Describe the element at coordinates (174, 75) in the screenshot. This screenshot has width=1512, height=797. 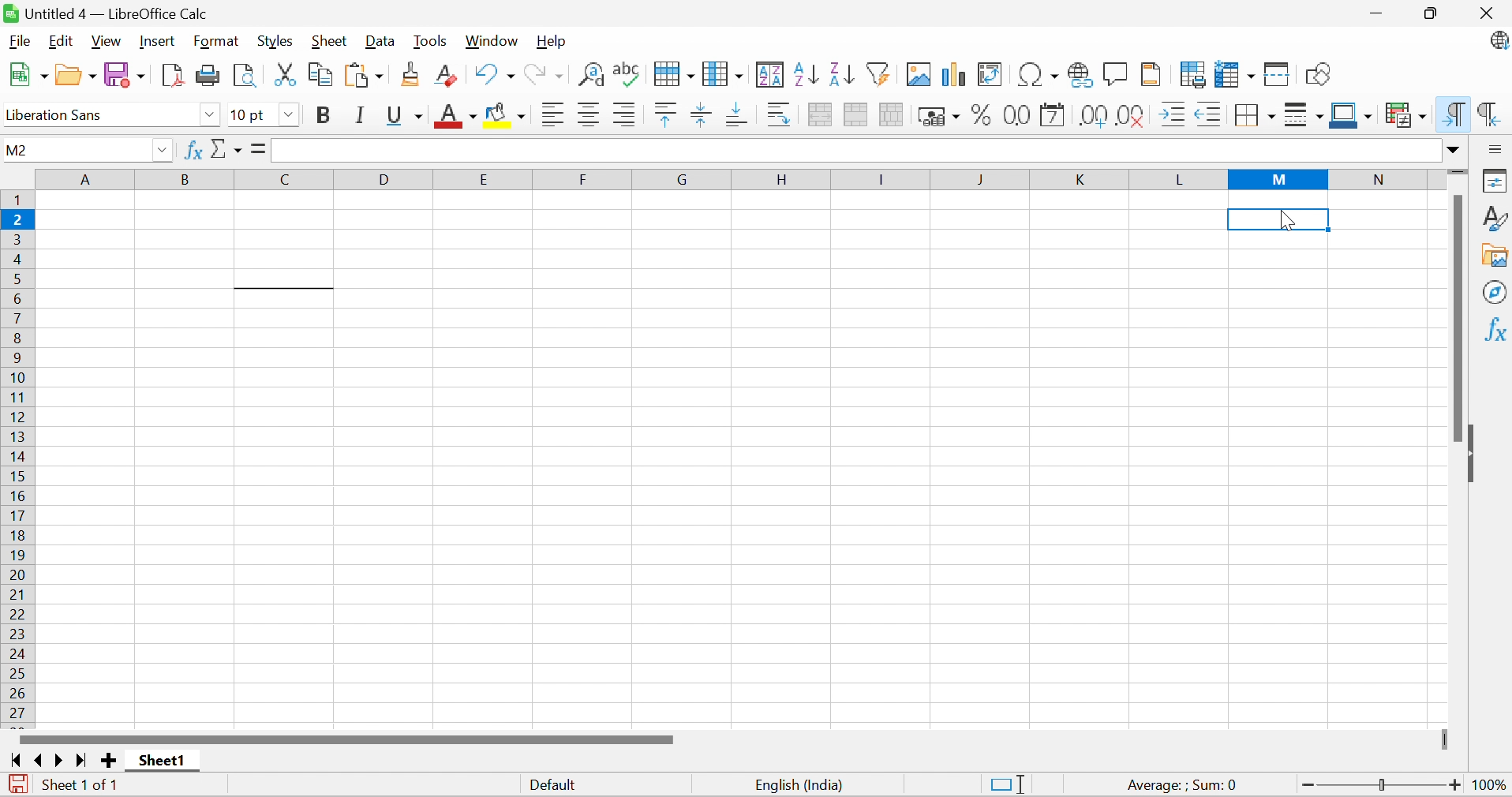
I see `Export as PDF` at that location.